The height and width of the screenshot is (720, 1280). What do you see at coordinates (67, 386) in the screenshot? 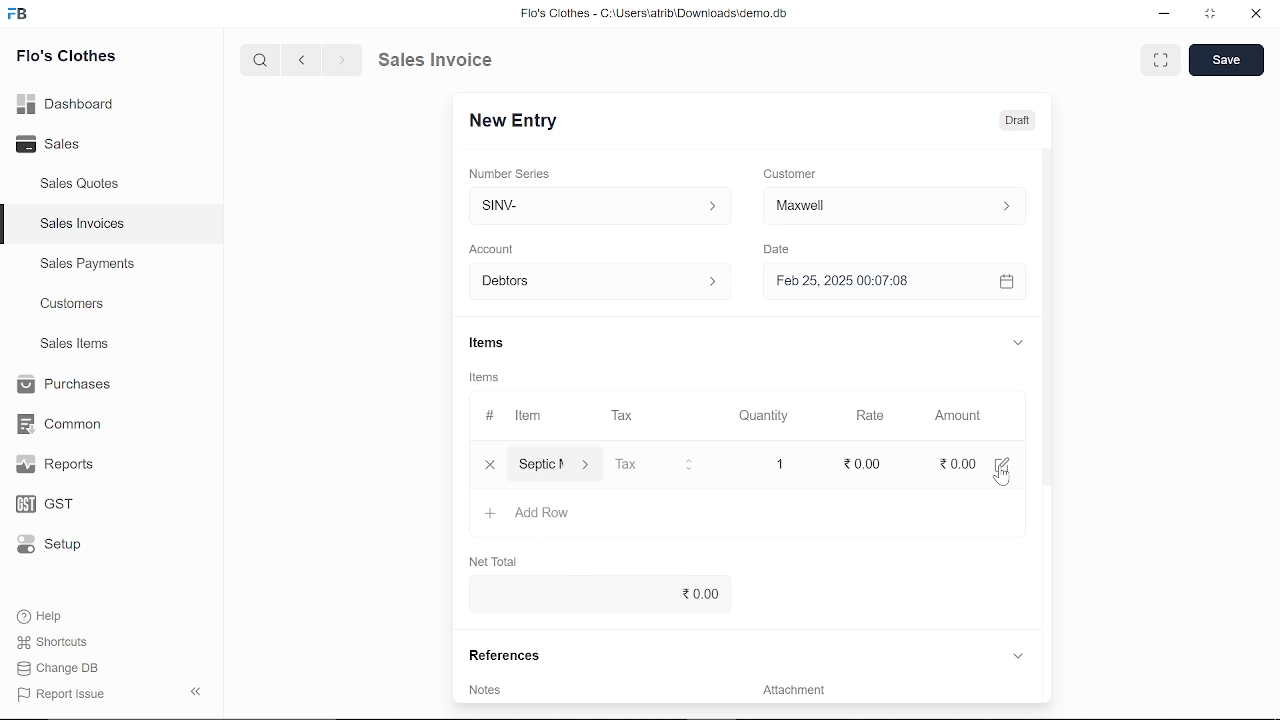
I see `Purchases` at bounding box center [67, 386].